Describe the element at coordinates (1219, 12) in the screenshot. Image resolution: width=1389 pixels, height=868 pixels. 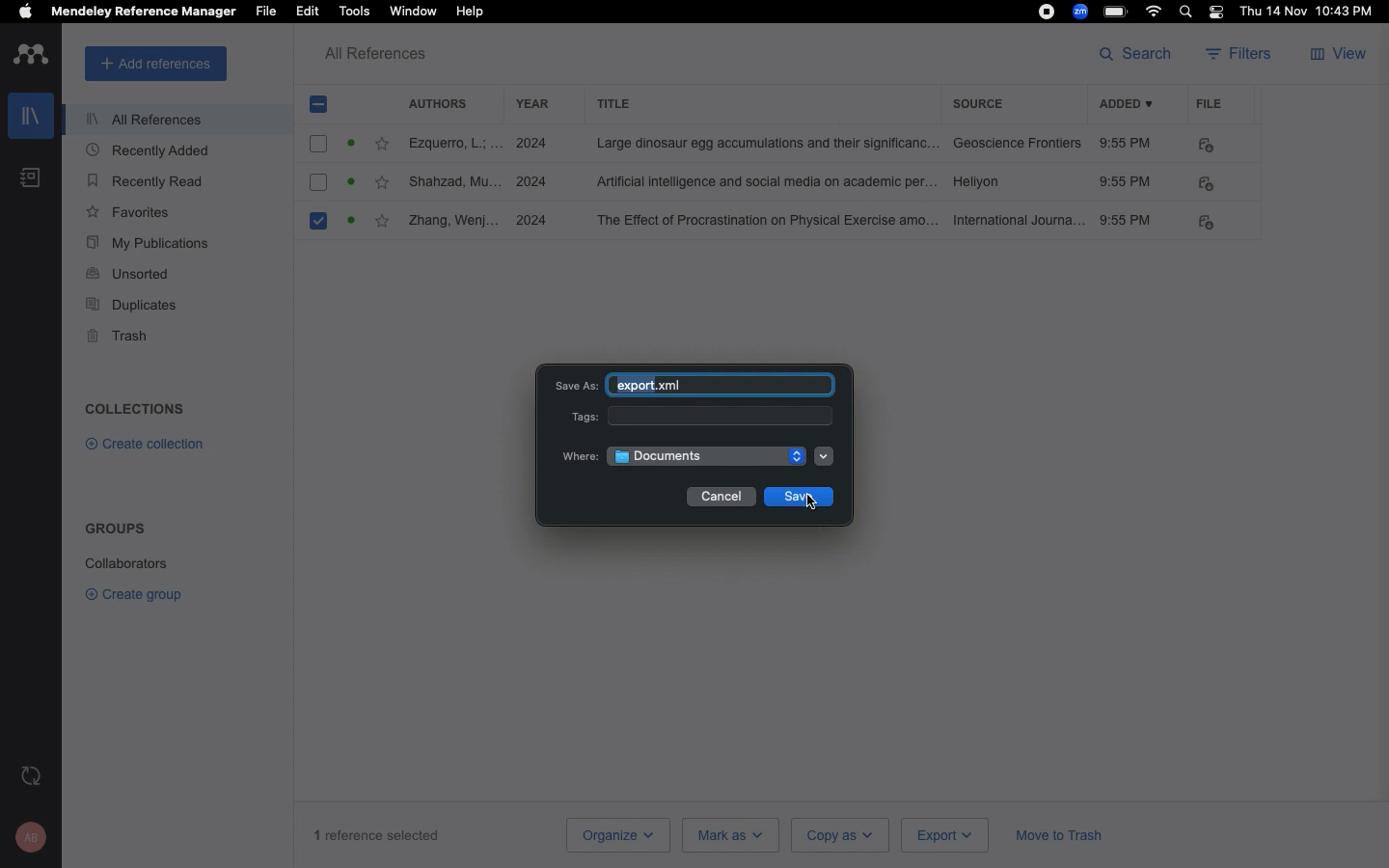
I see `Notification` at that location.